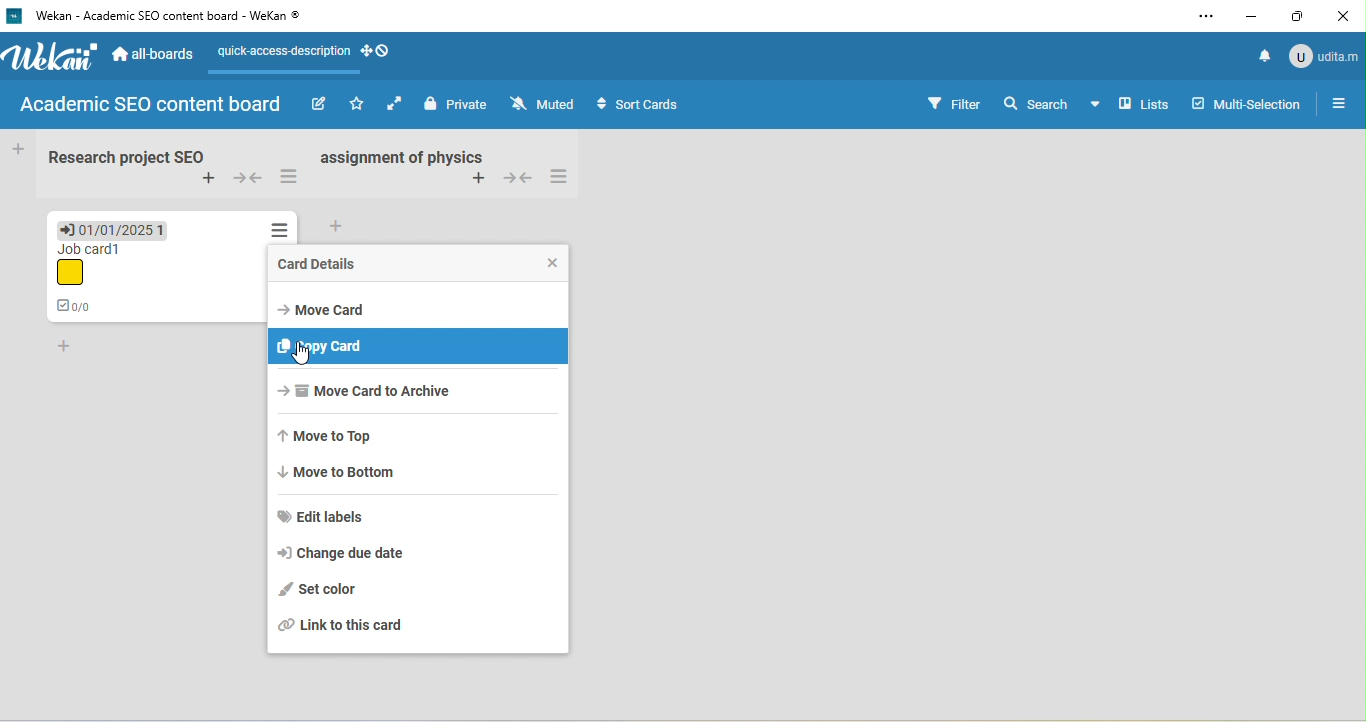  Describe the element at coordinates (280, 57) in the screenshot. I see `quick access description` at that location.